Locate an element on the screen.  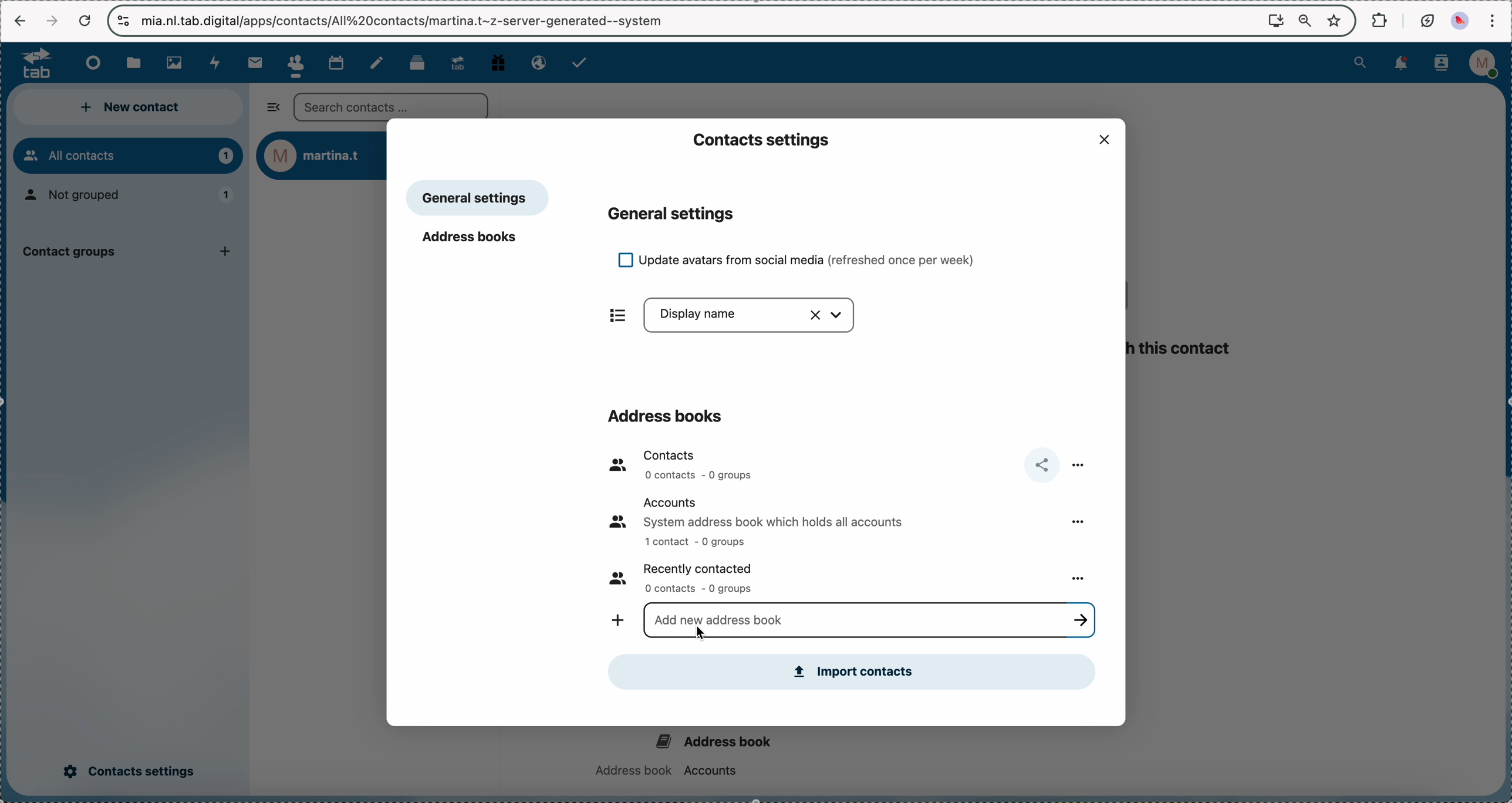
profile is located at coordinates (1483, 63).